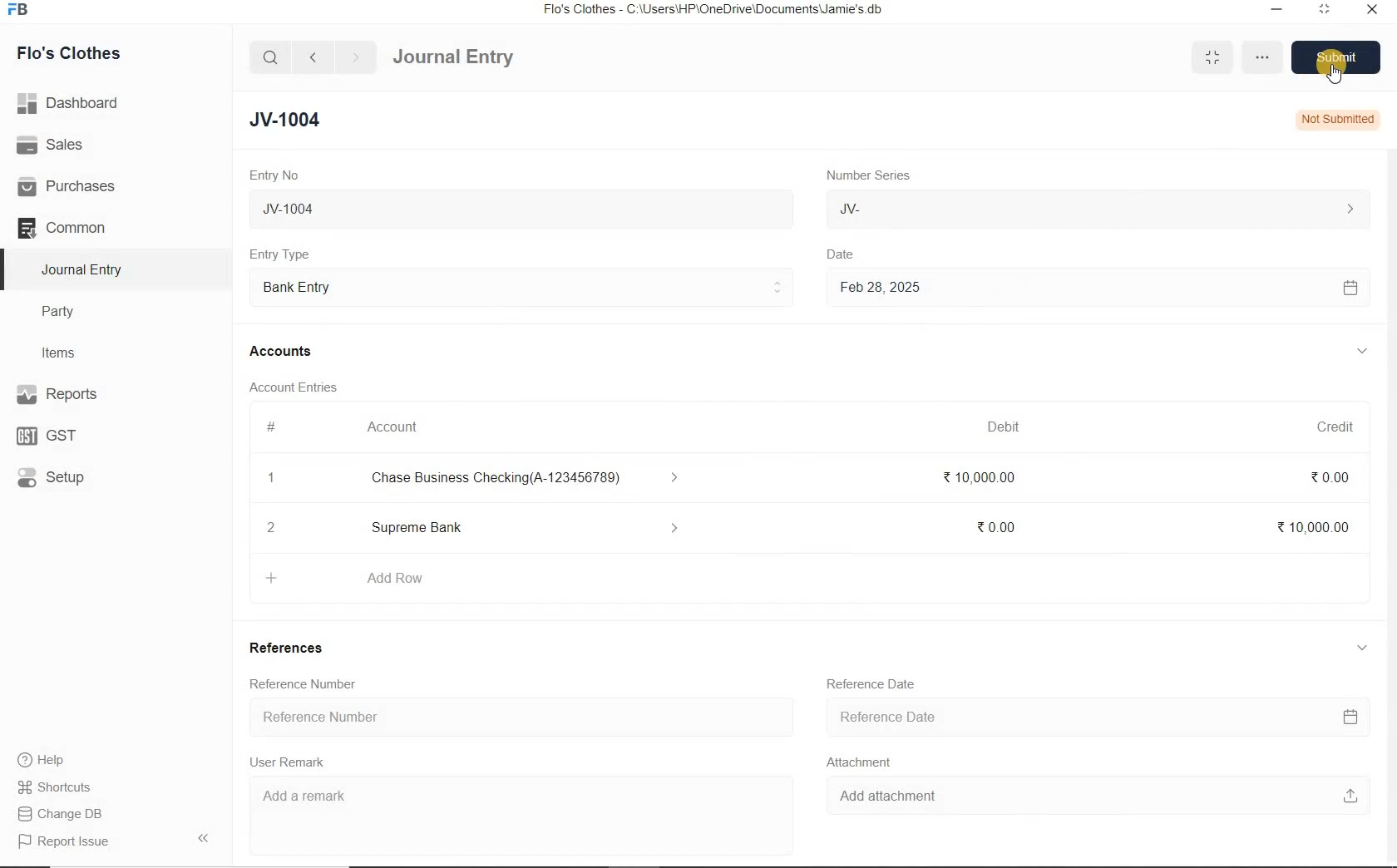 This screenshot has width=1397, height=868. What do you see at coordinates (483, 55) in the screenshot?
I see `Journal Entry` at bounding box center [483, 55].